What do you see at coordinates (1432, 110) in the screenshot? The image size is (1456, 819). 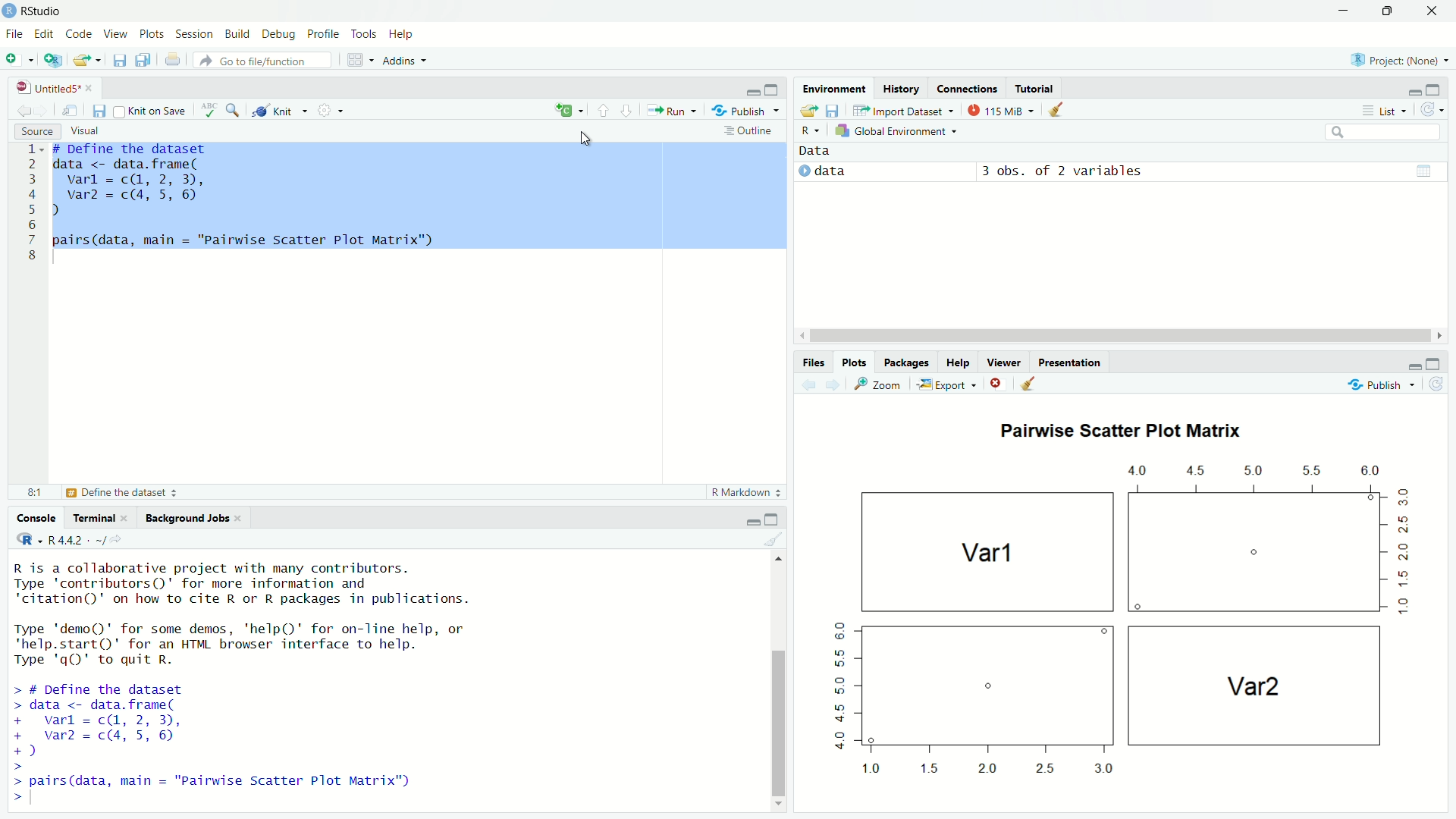 I see `Refresh the list of objects in the environment` at bounding box center [1432, 110].